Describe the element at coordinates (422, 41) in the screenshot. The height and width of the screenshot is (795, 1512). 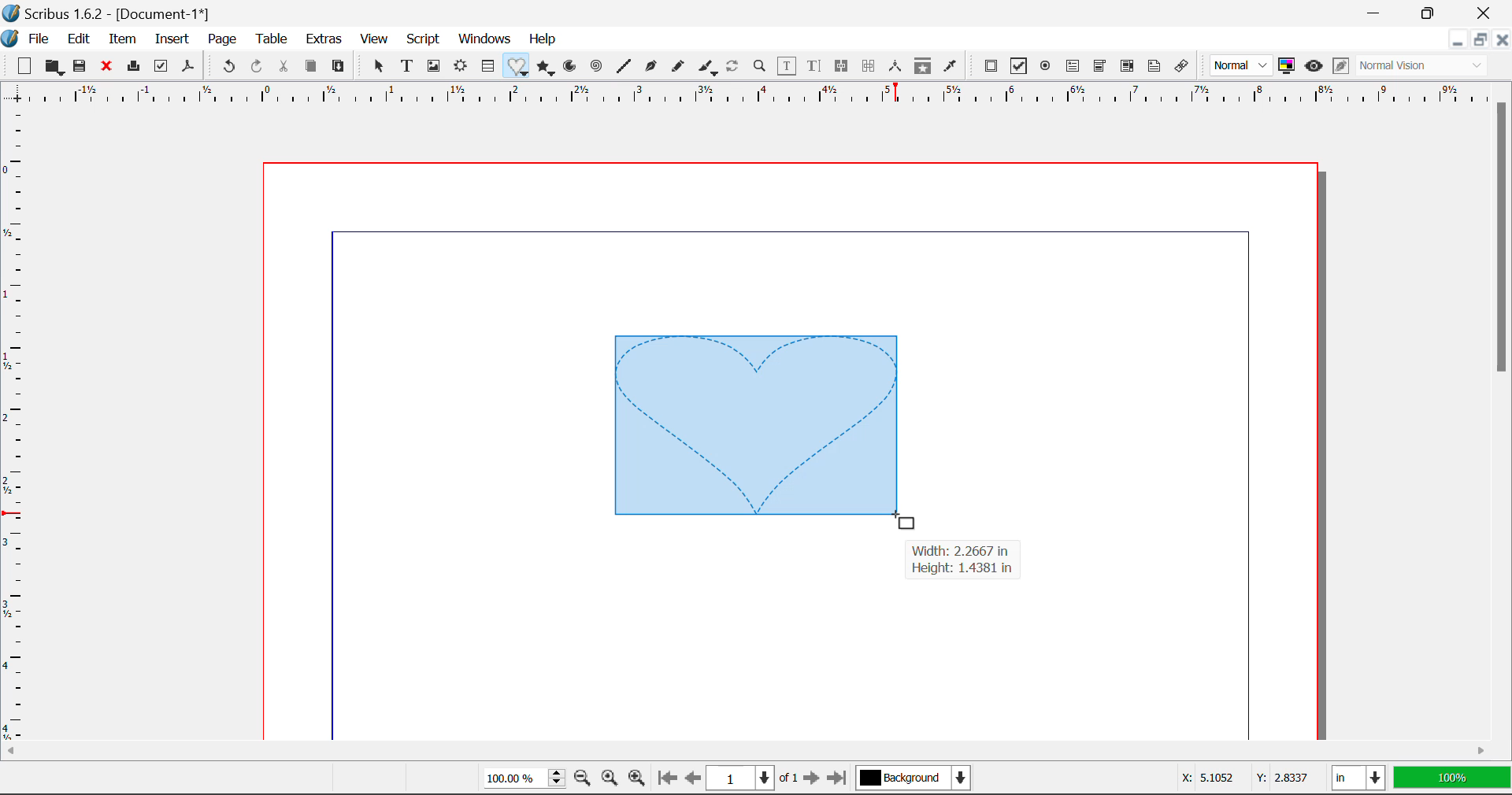
I see `Script` at that location.